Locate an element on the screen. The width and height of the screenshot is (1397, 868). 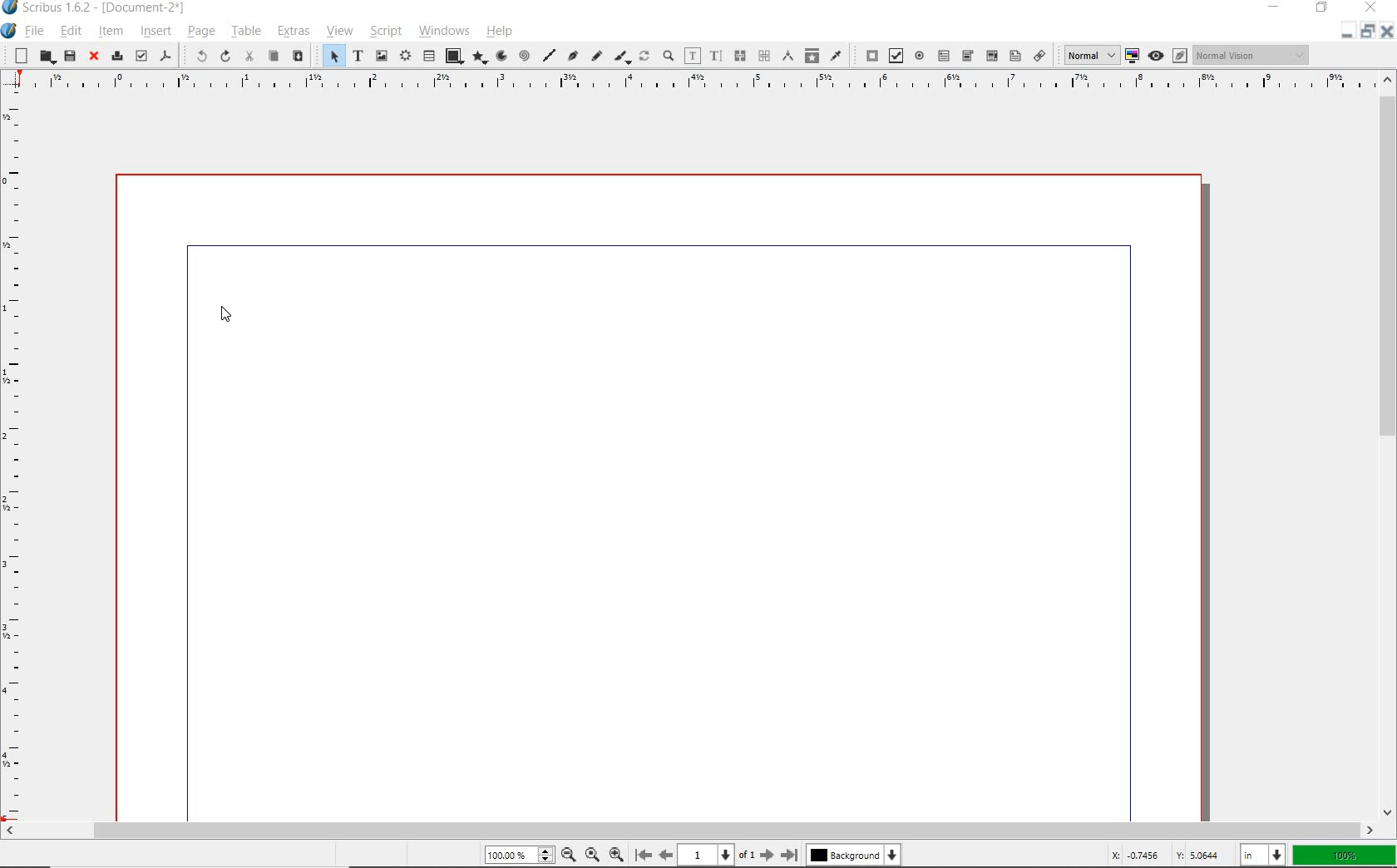
zoom level is located at coordinates (517, 856).